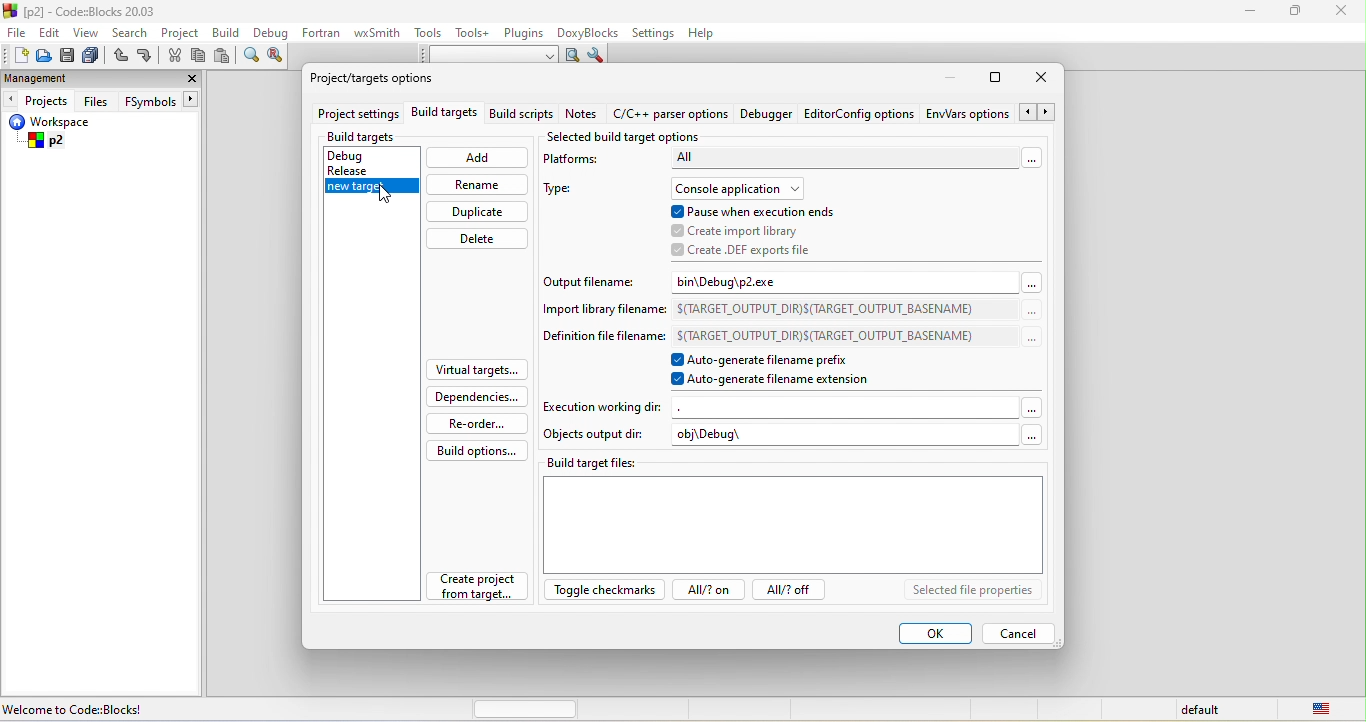 The image size is (1366, 722). I want to click on build targets, so click(444, 116).